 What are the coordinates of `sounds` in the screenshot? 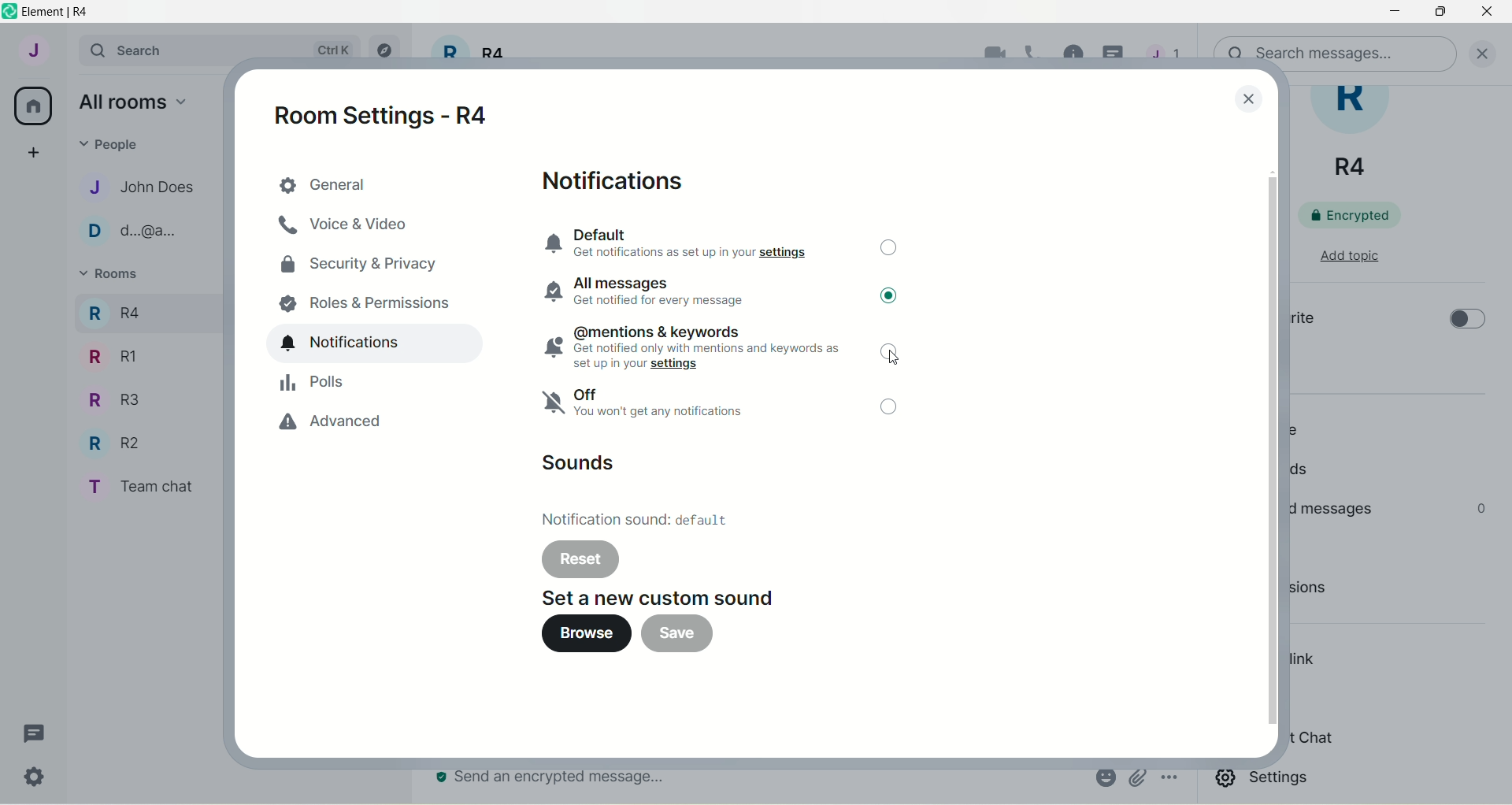 It's located at (584, 465).